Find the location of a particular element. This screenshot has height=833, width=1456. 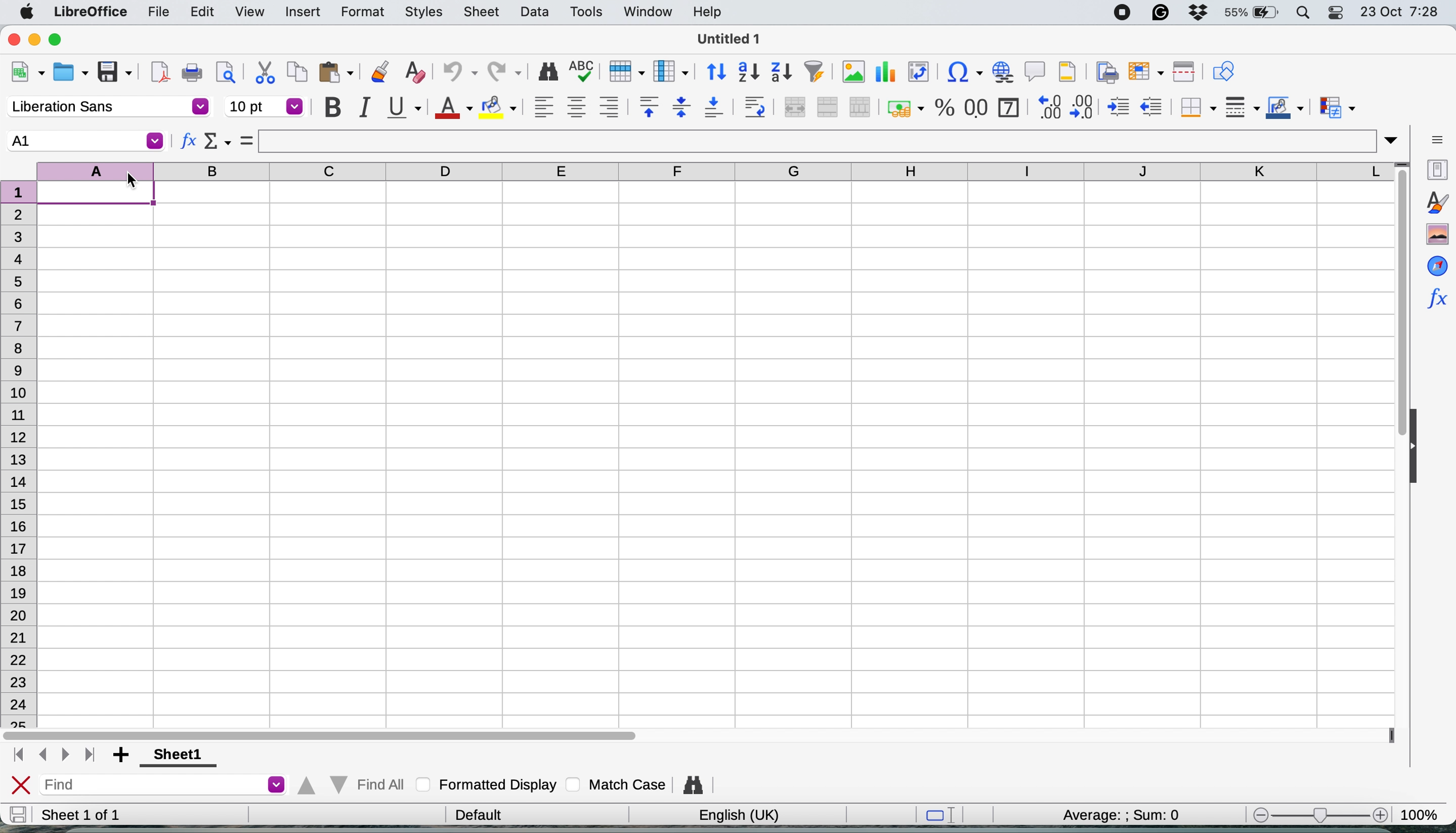

window is located at coordinates (647, 11).